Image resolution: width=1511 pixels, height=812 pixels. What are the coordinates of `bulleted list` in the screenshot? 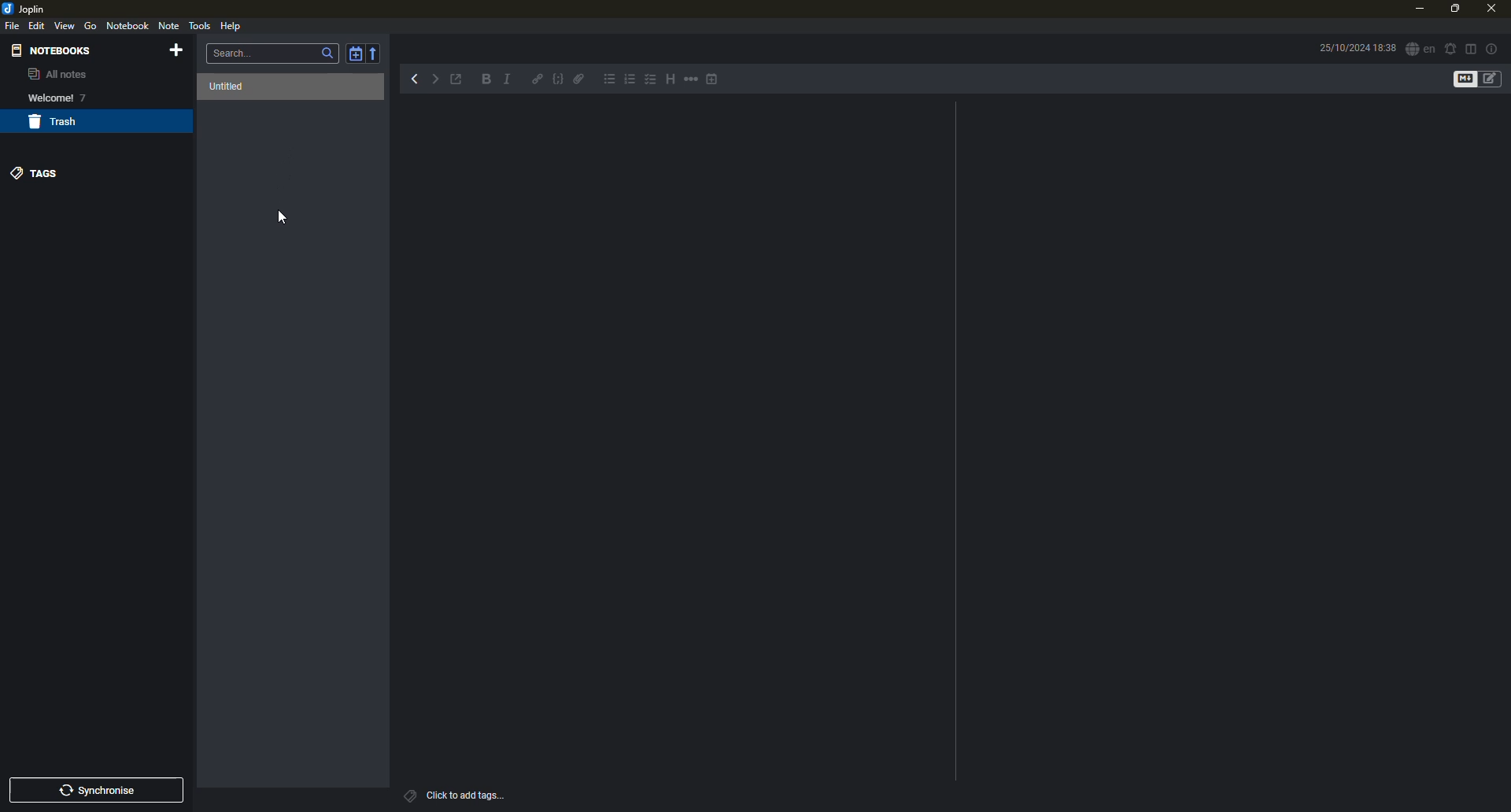 It's located at (610, 81).